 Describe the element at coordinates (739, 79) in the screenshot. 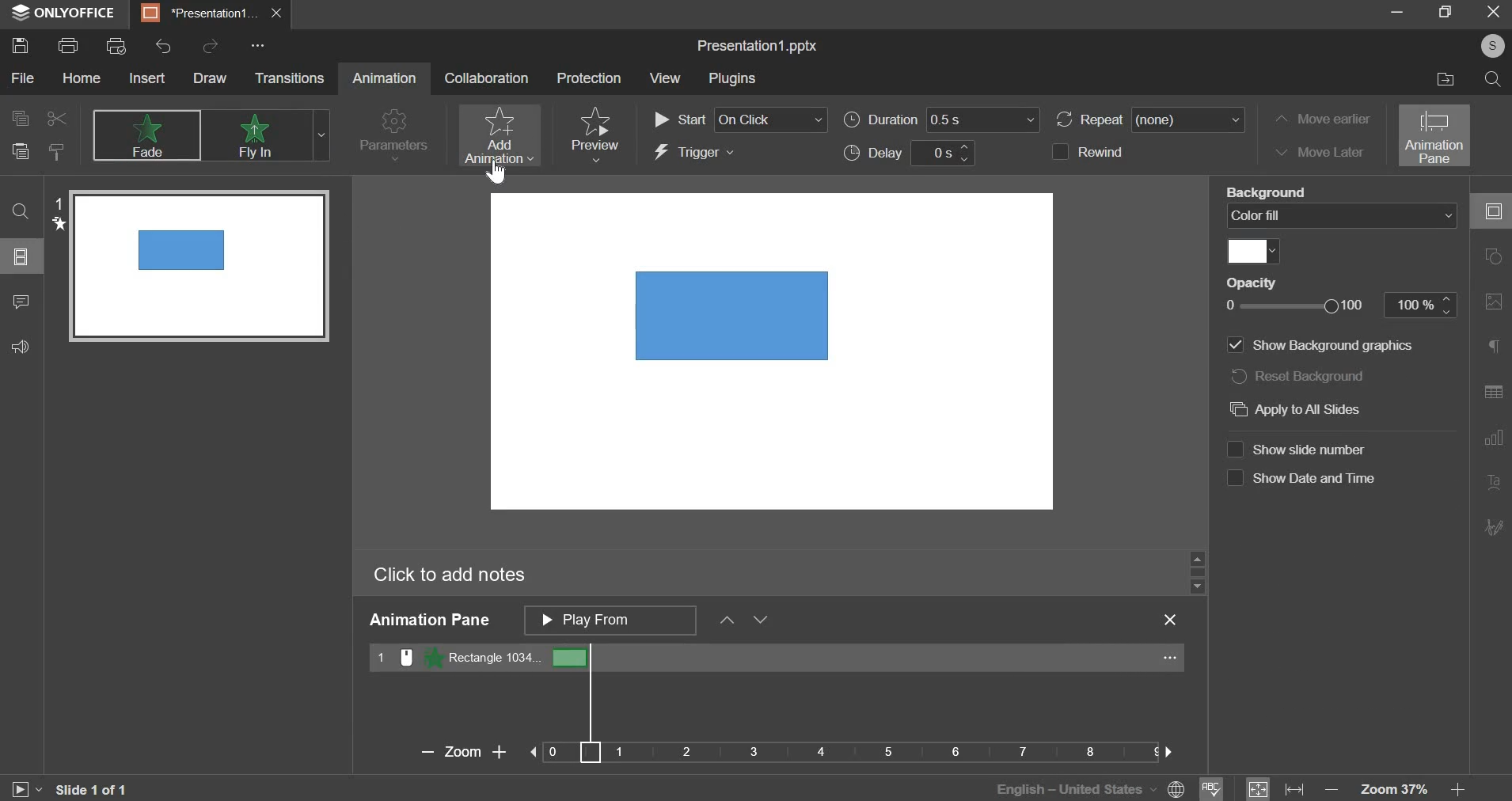

I see `Plugins` at that location.